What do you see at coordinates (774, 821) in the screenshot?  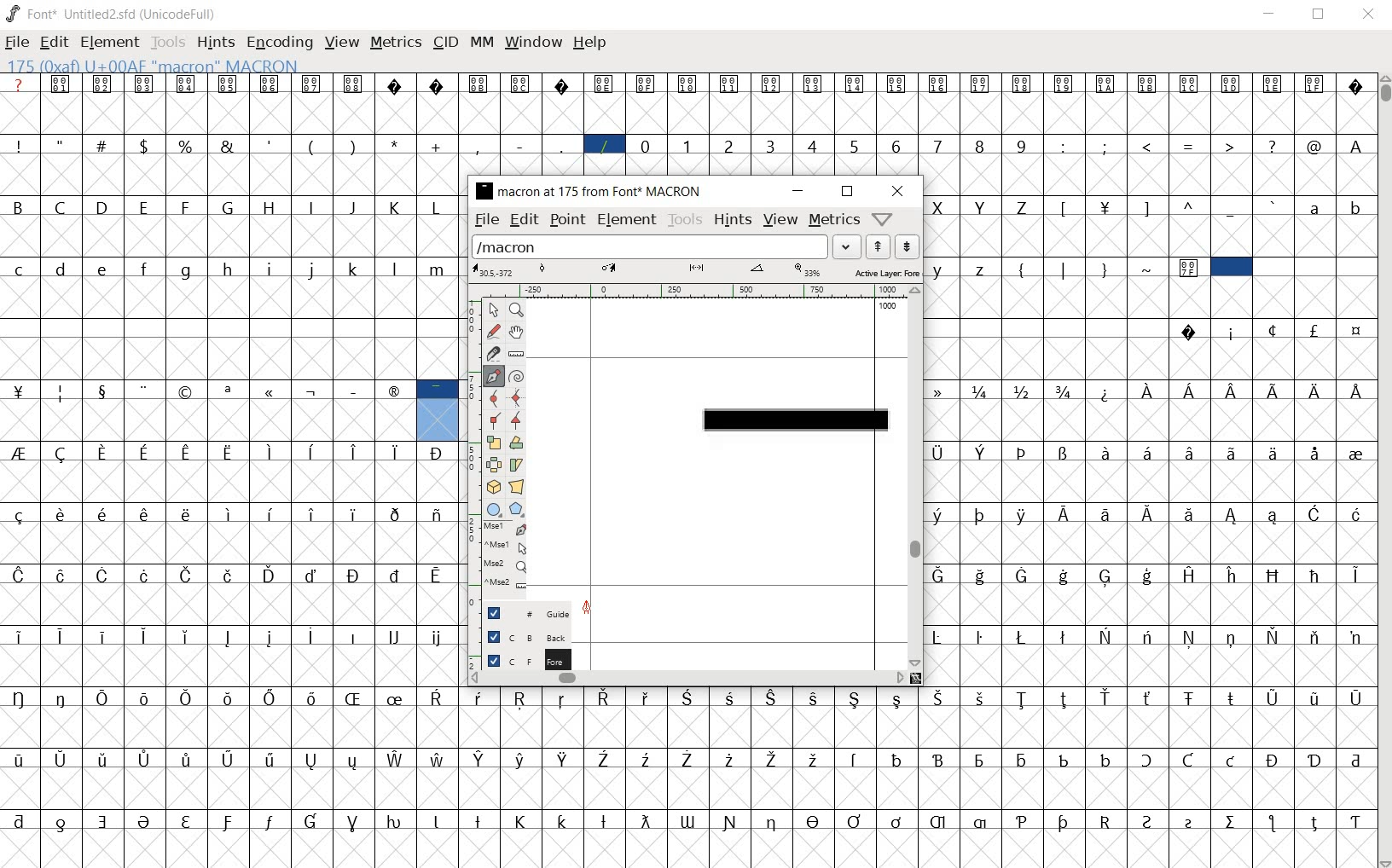 I see `Symbol` at bounding box center [774, 821].